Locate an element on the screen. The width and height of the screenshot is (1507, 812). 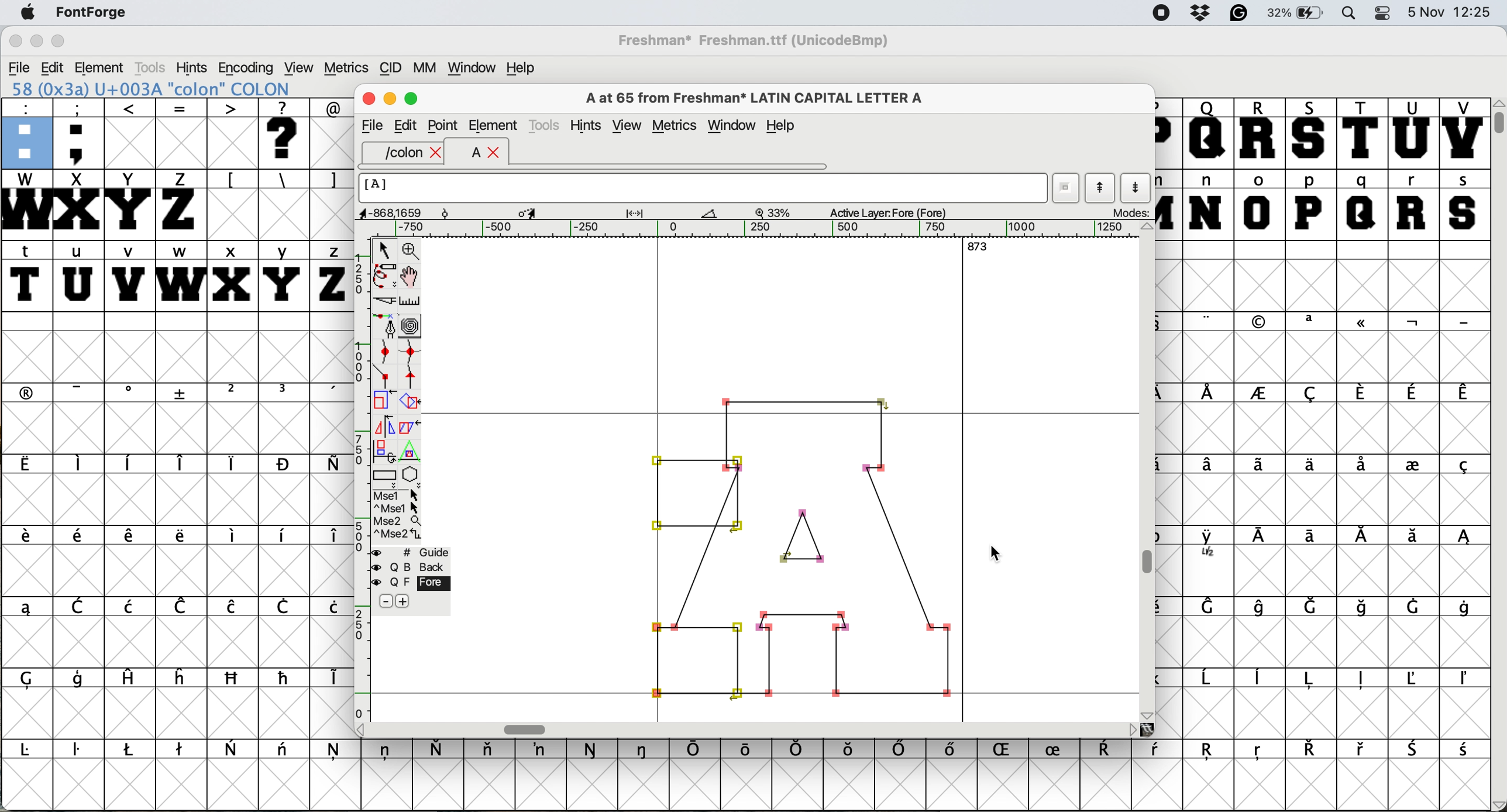
symbol is located at coordinates (1464, 751).